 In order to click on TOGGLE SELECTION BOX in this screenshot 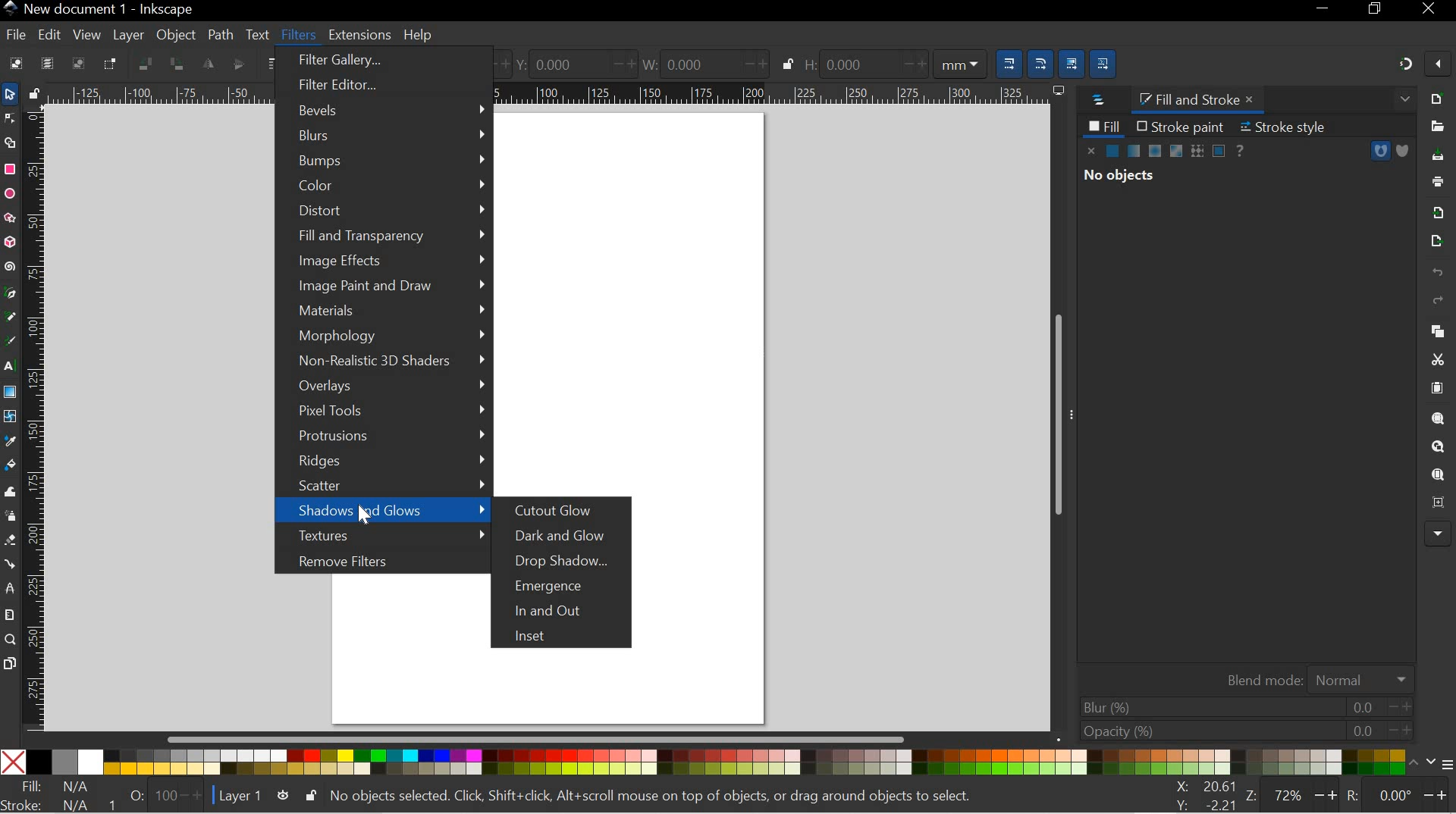, I will do `click(113, 64)`.